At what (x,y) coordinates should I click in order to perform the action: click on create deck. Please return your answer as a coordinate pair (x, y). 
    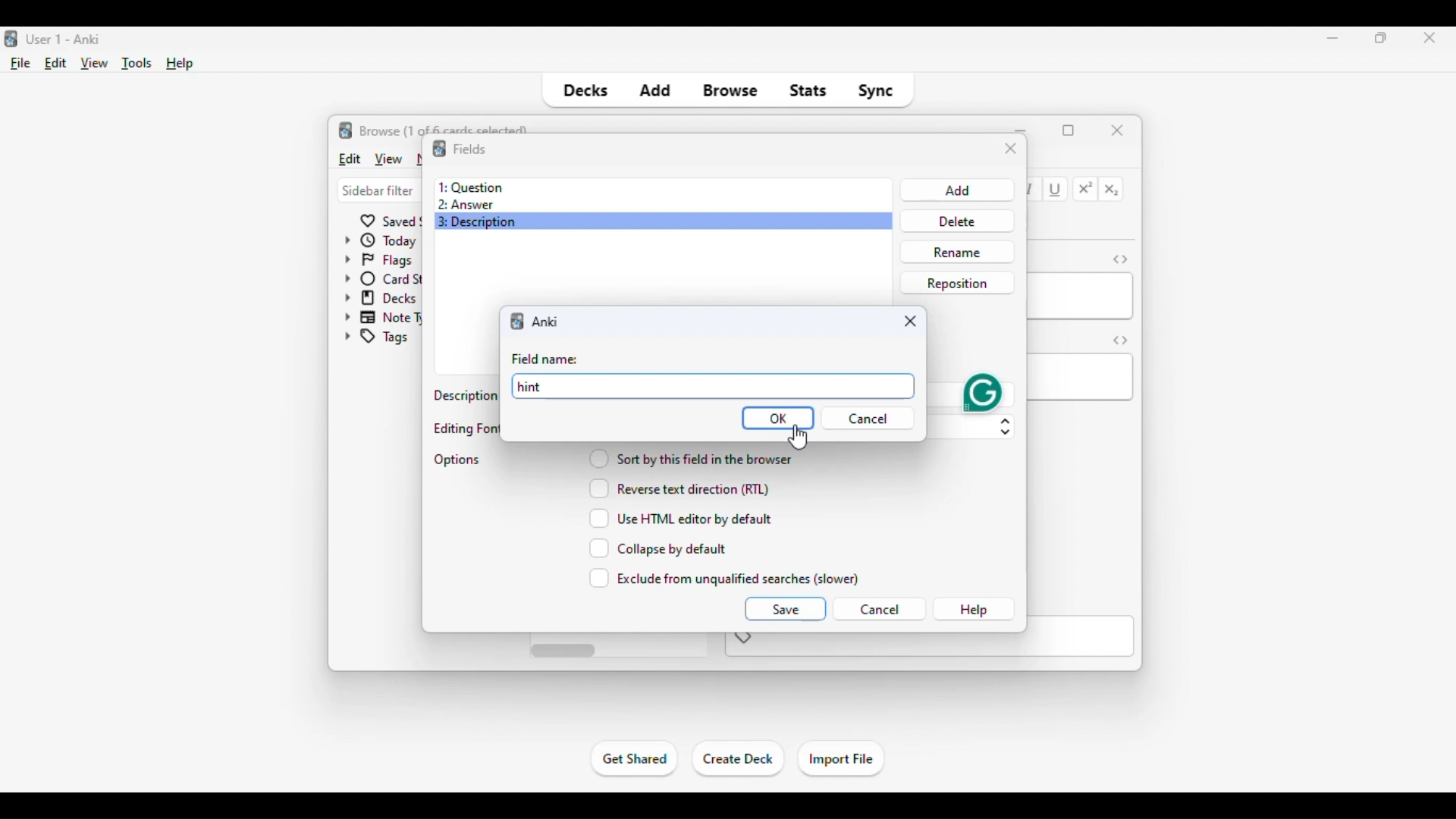
    Looking at the image, I should click on (739, 759).